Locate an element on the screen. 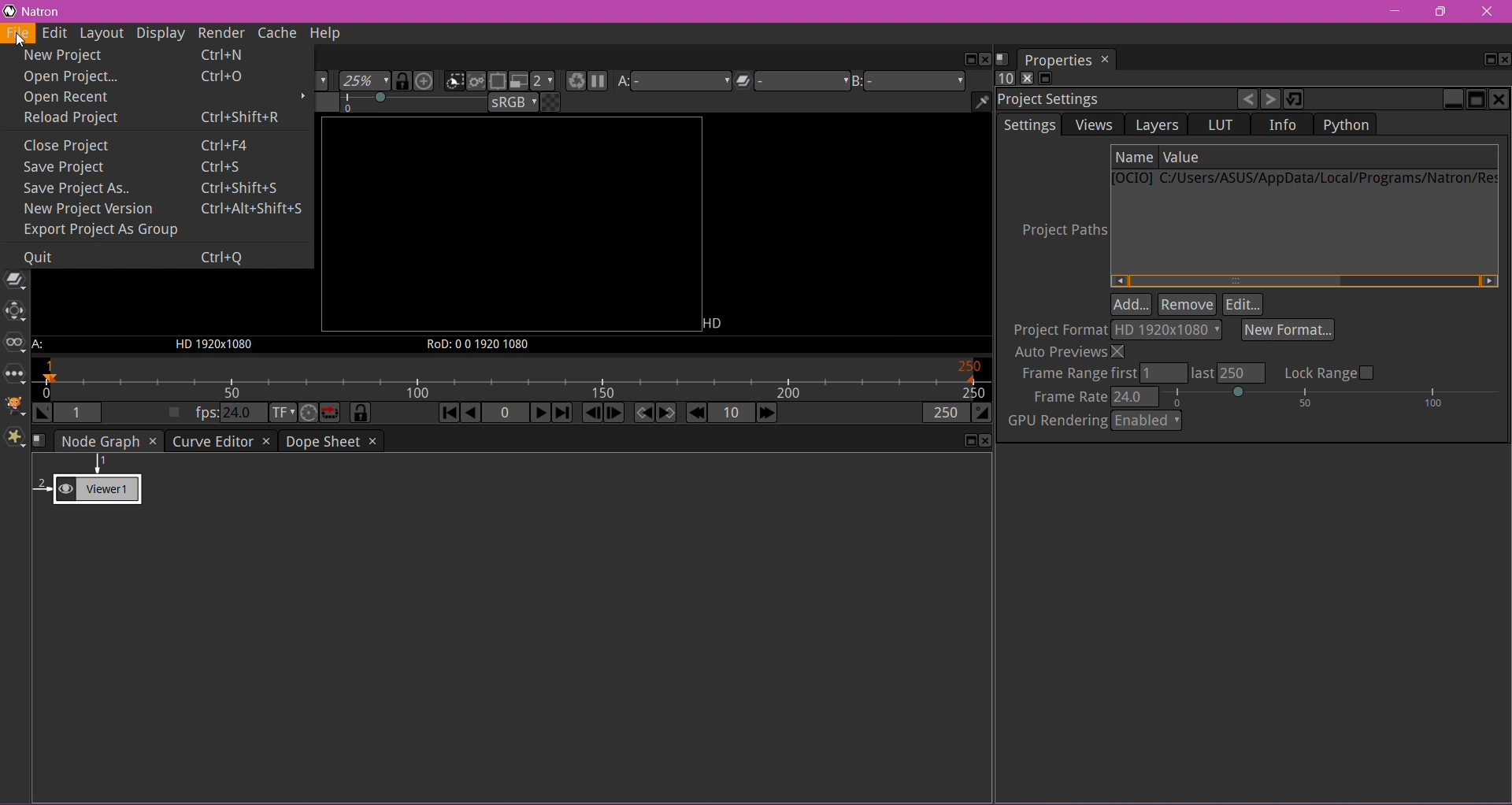 The image size is (1512, 805). Viewer Input A is located at coordinates (40, 346).